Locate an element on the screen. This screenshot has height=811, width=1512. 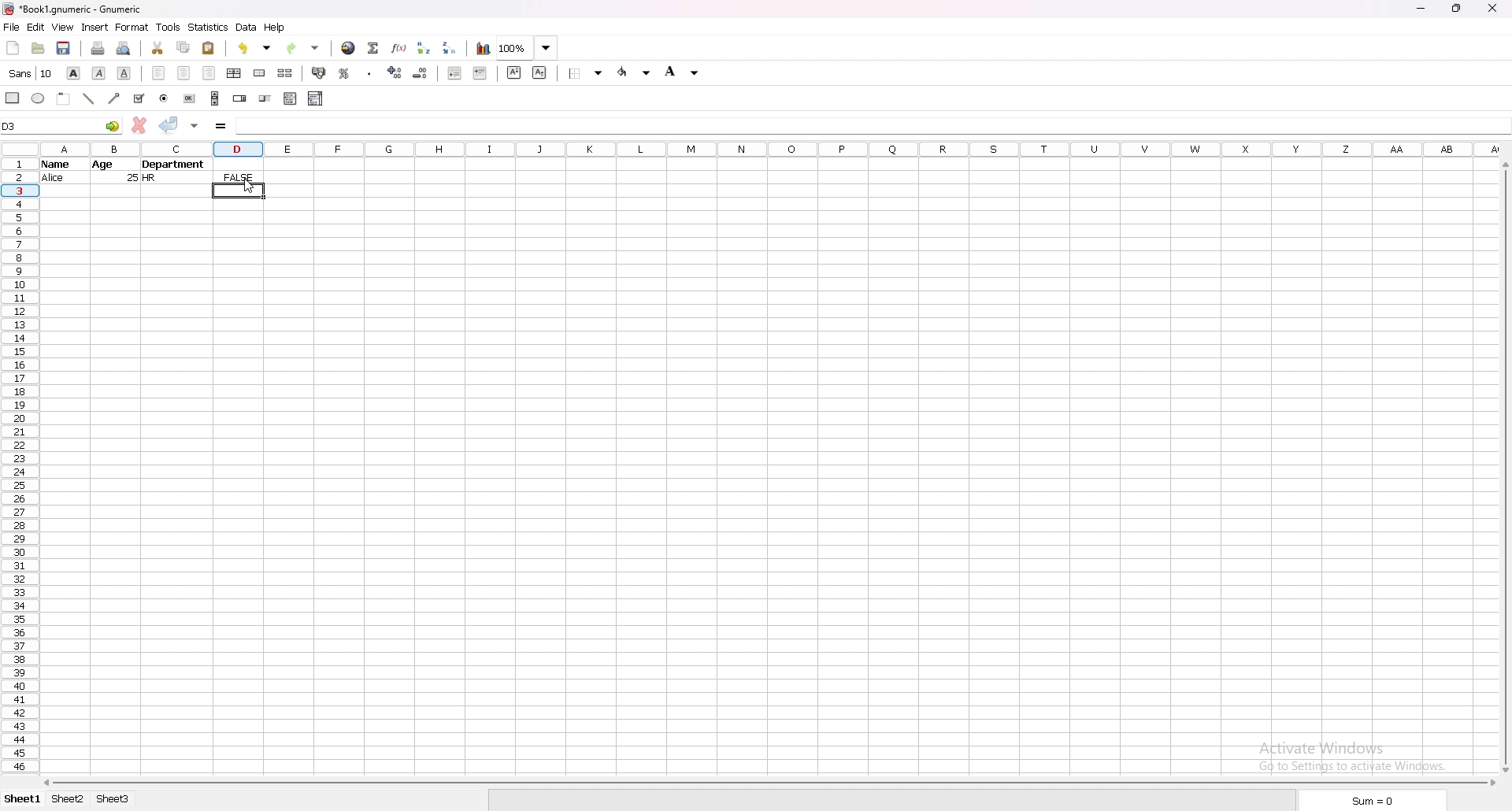
line is located at coordinates (89, 98).